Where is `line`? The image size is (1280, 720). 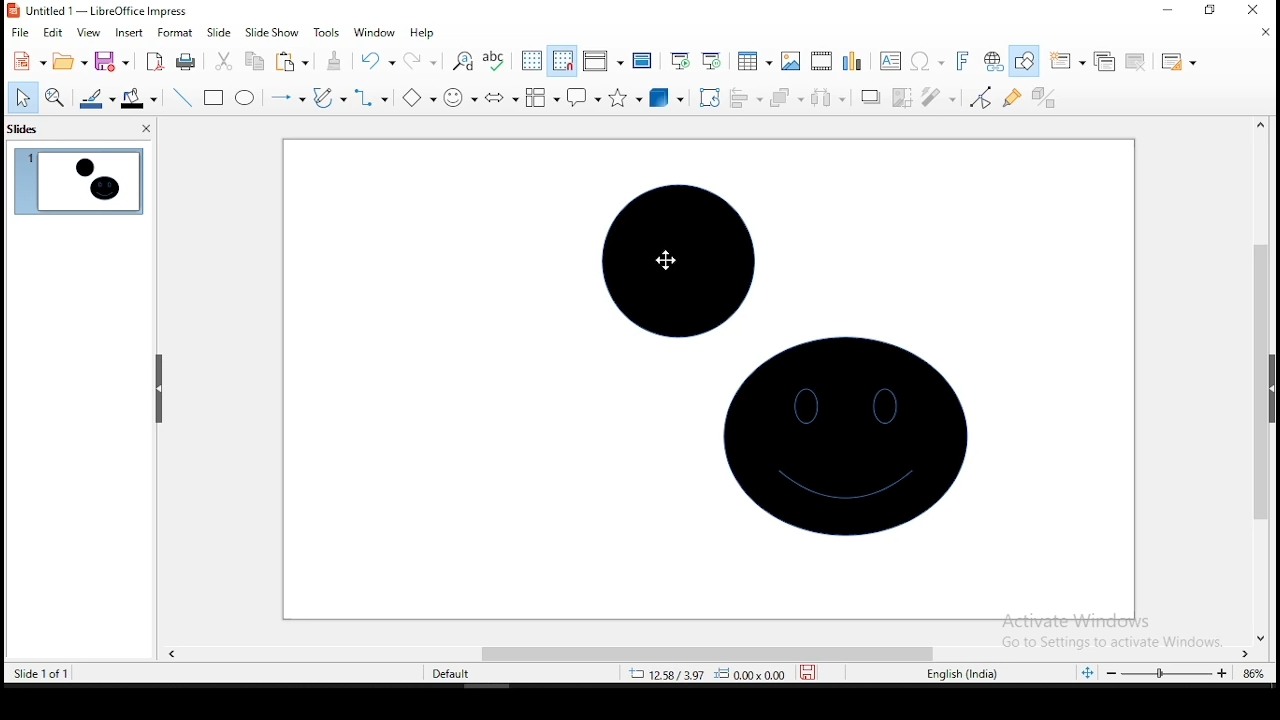 line is located at coordinates (182, 98).